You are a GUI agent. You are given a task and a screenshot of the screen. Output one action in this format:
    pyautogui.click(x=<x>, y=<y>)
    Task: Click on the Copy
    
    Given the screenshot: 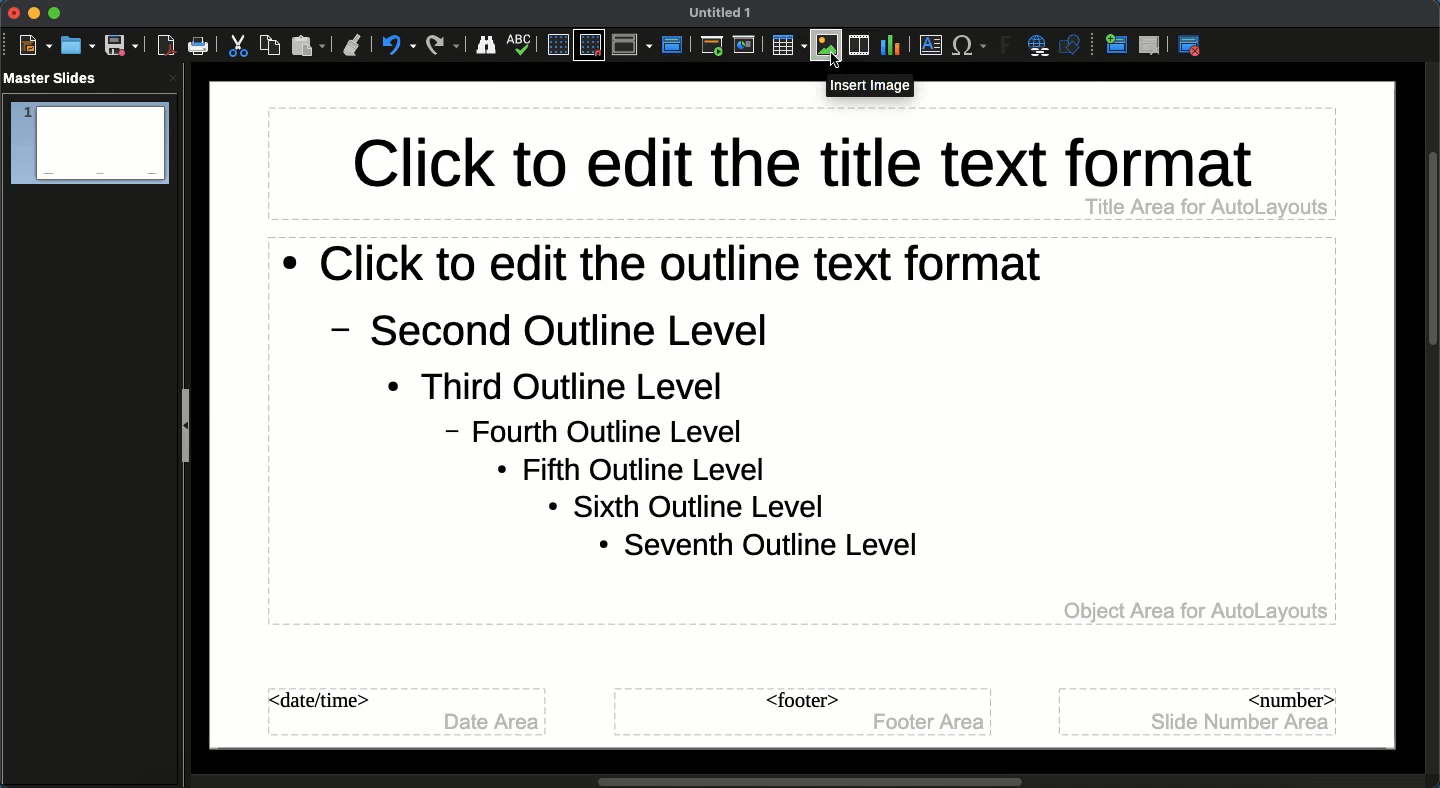 What is the action you would take?
    pyautogui.click(x=269, y=45)
    